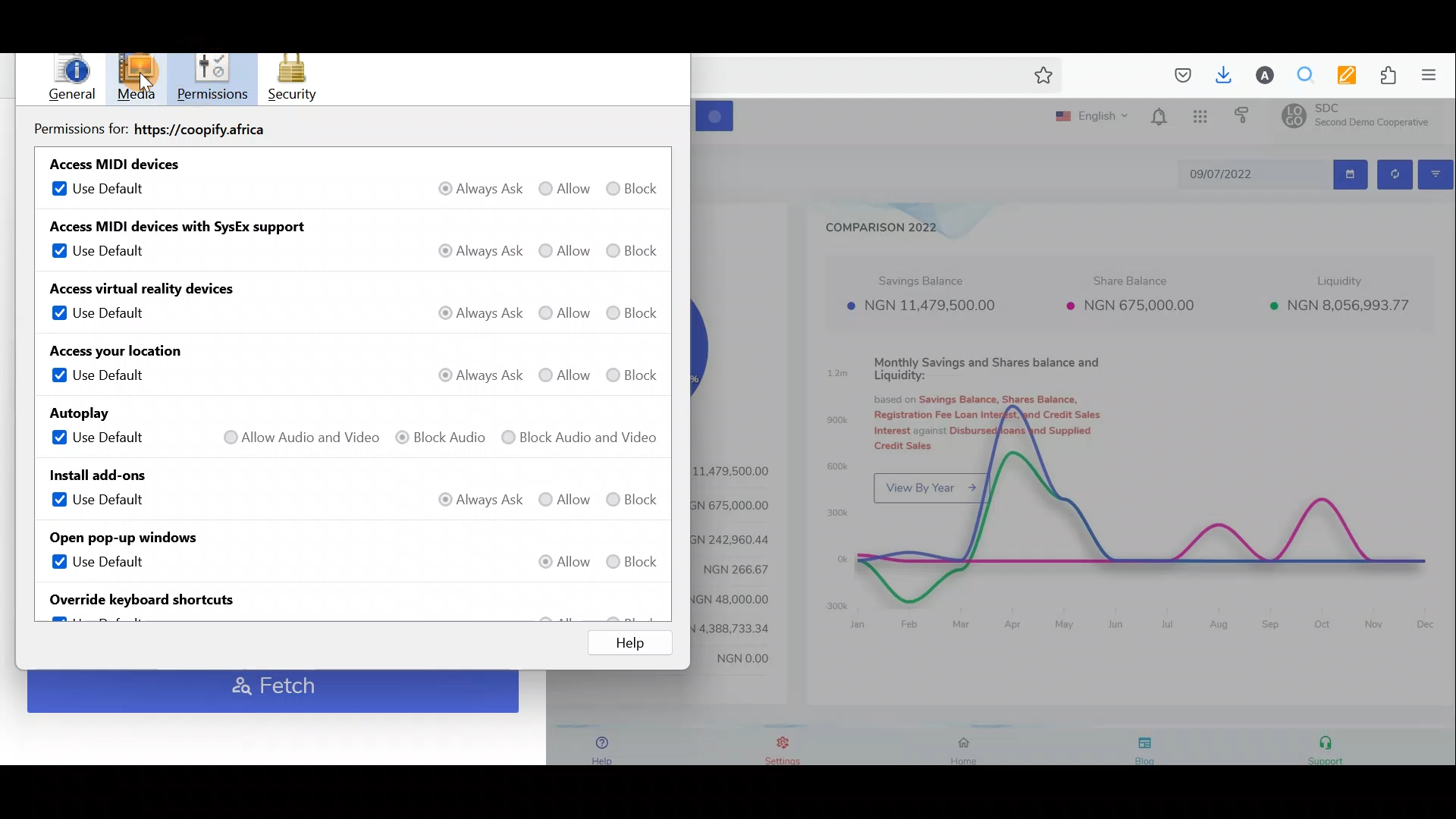  What do you see at coordinates (147, 601) in the screenshot?
I see `Override keyboard shortcuts` at bounding box center [147, 601].